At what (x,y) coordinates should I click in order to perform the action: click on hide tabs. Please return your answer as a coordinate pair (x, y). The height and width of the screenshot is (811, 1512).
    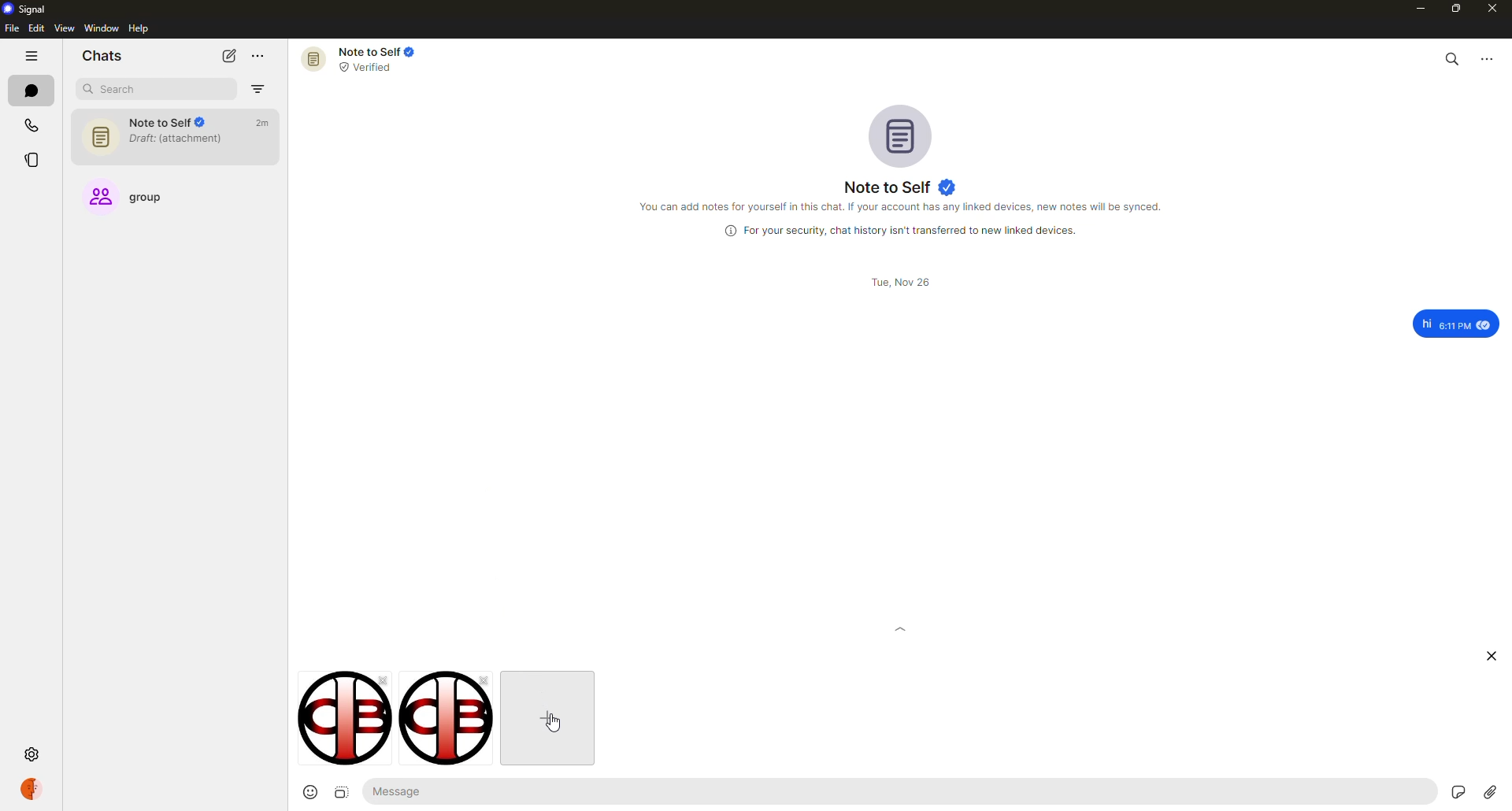
    Looking at the image, I should click on (32, 57).